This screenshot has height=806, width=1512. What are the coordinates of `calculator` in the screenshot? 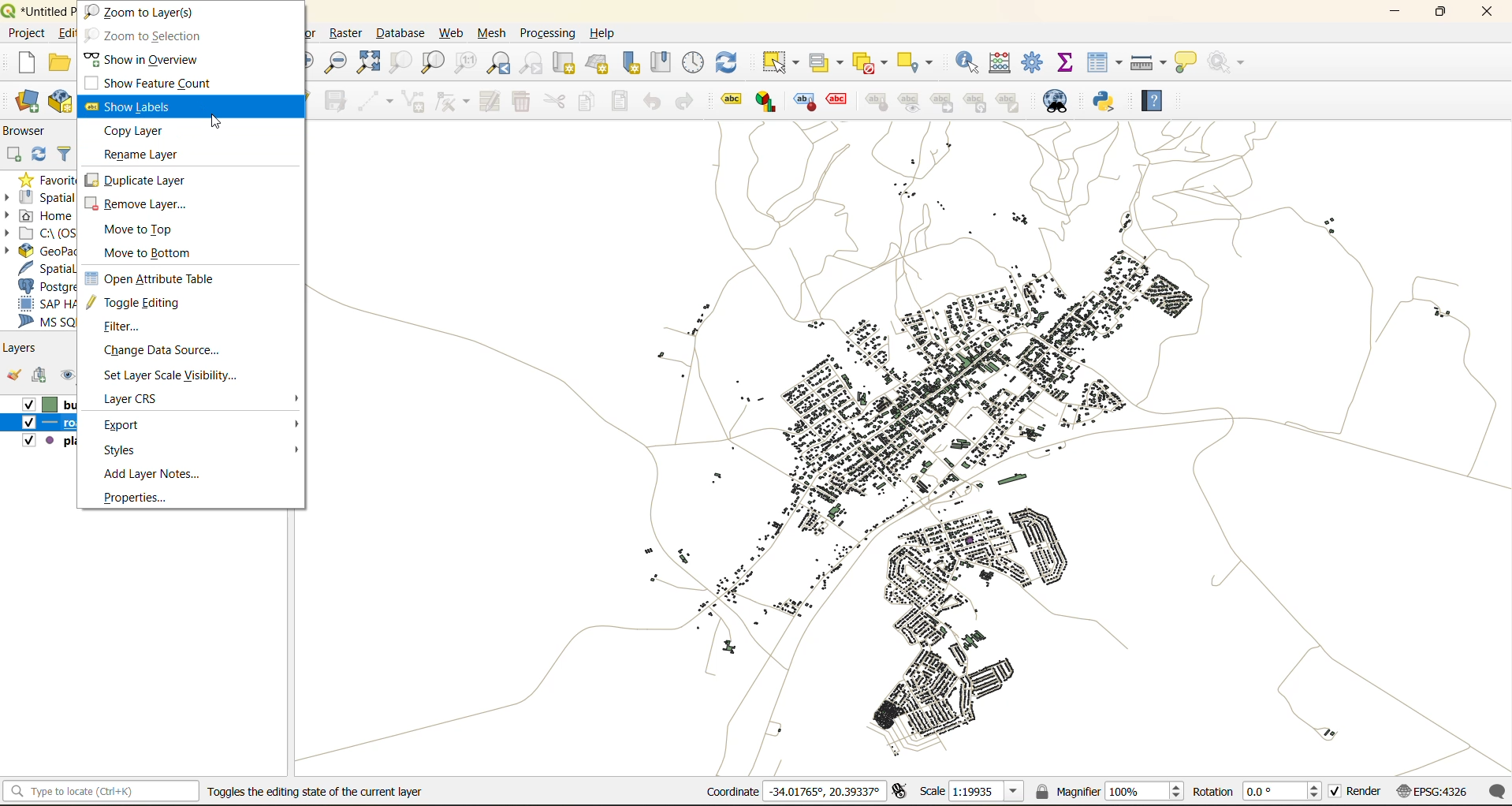 It's located at (999, 62).